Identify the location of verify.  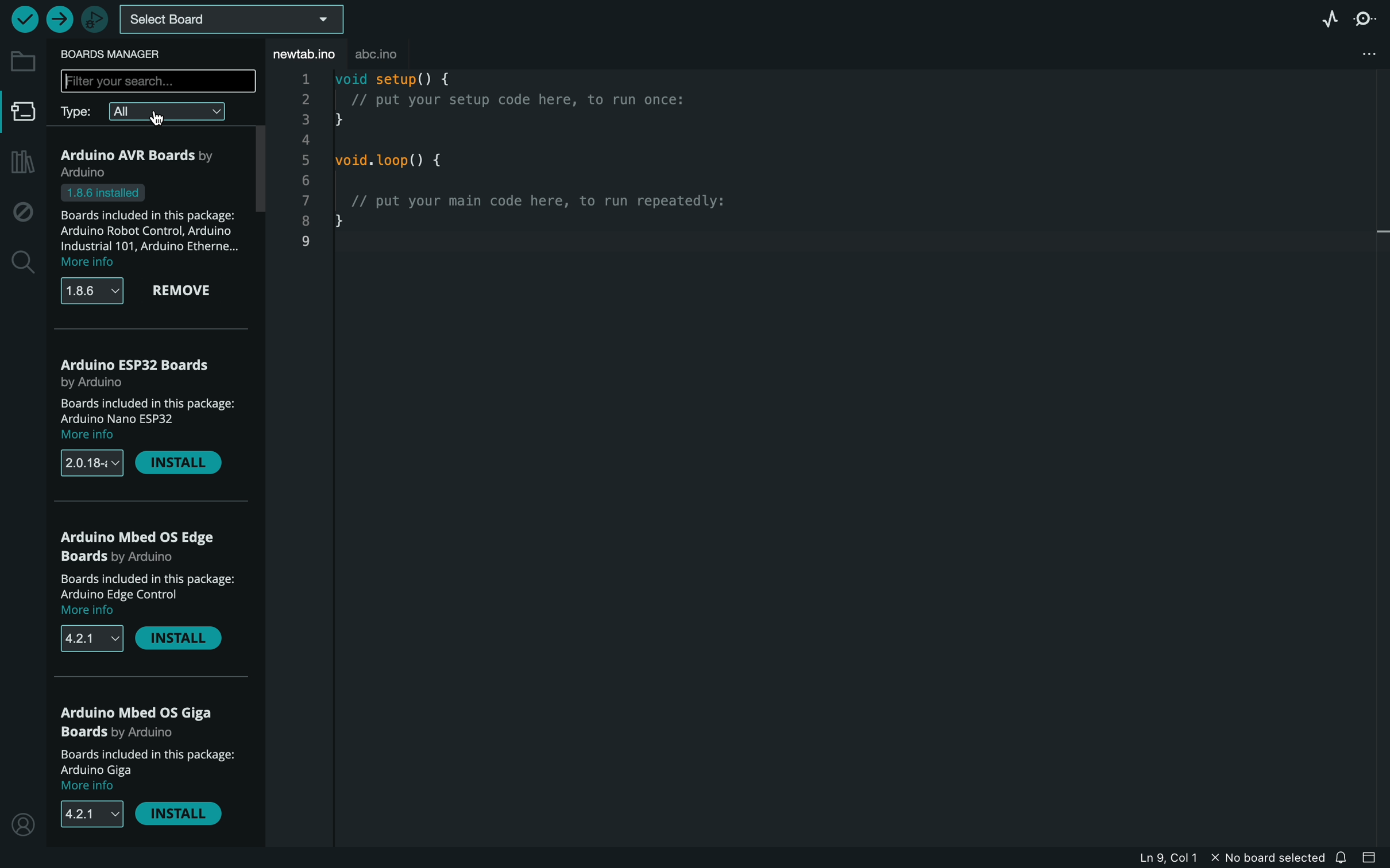
(24, 19).